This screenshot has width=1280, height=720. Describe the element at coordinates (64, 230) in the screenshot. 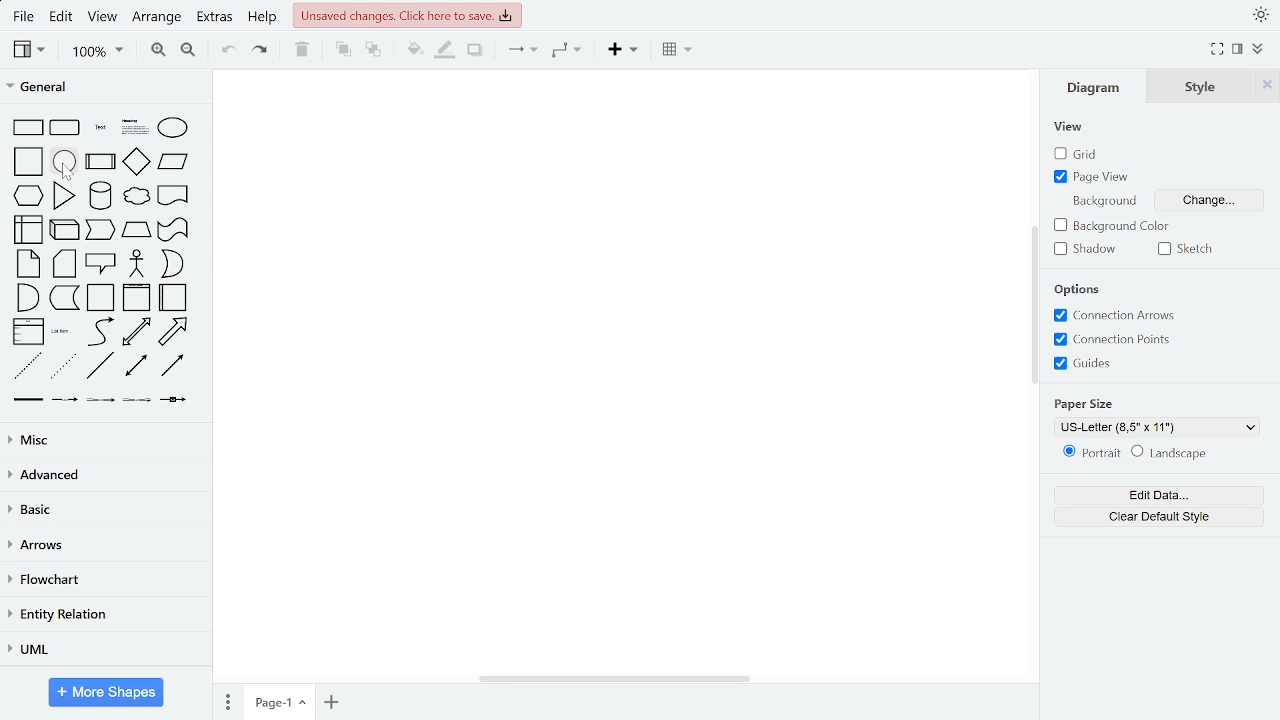

I see `cube` at that location.